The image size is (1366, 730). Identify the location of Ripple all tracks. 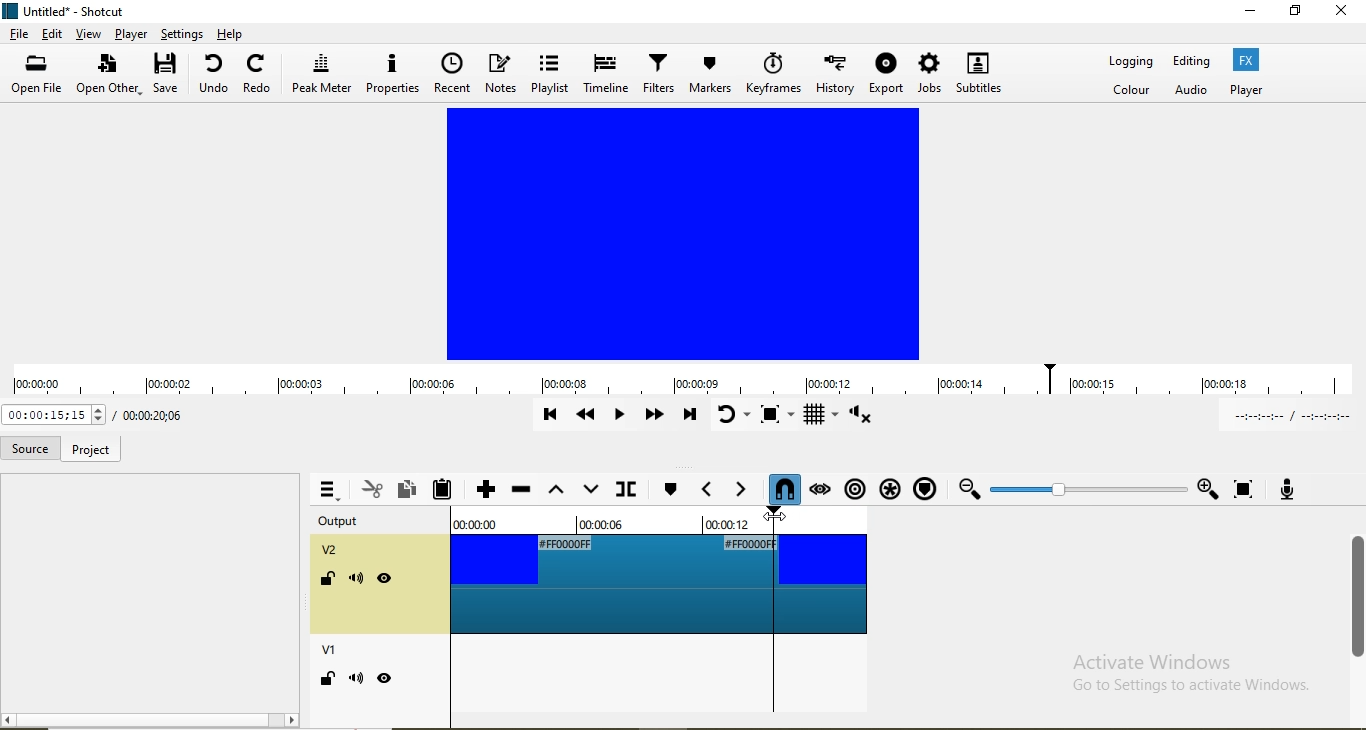
(886, 484).